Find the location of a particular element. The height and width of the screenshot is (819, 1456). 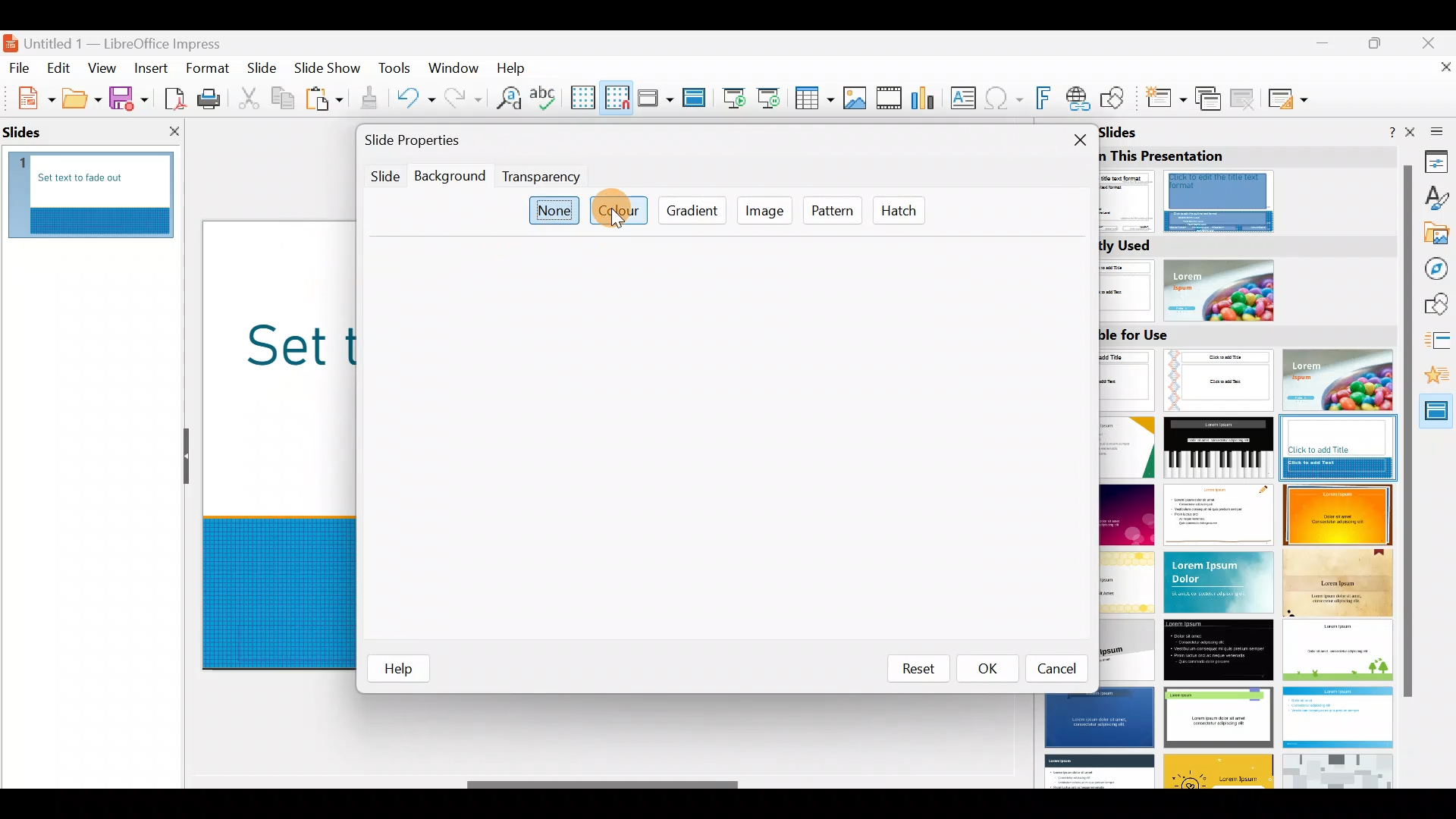

Reset is located at coordinates (915, 666).